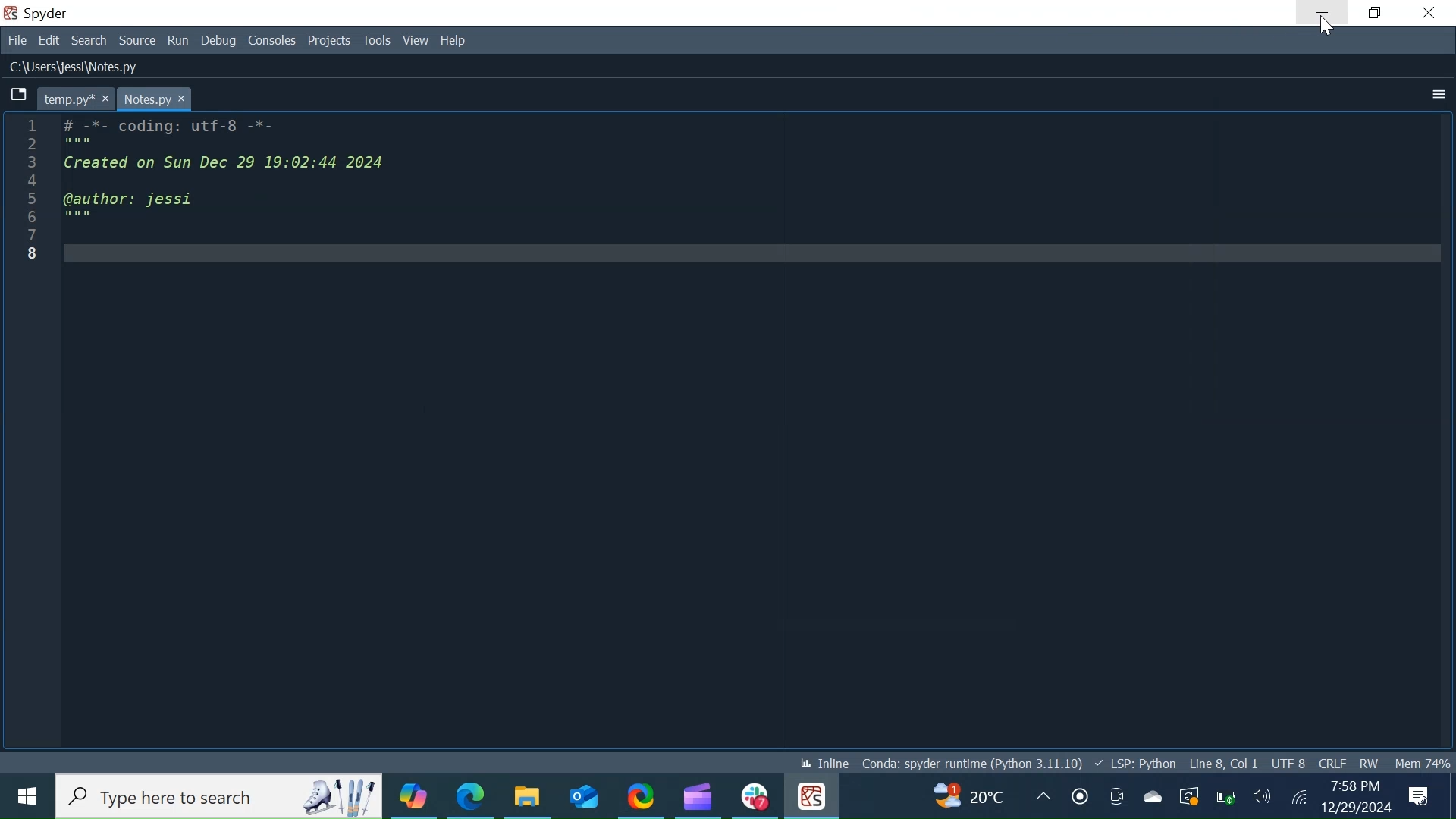  I want to click on File EQL Status, so click(1332, 763).